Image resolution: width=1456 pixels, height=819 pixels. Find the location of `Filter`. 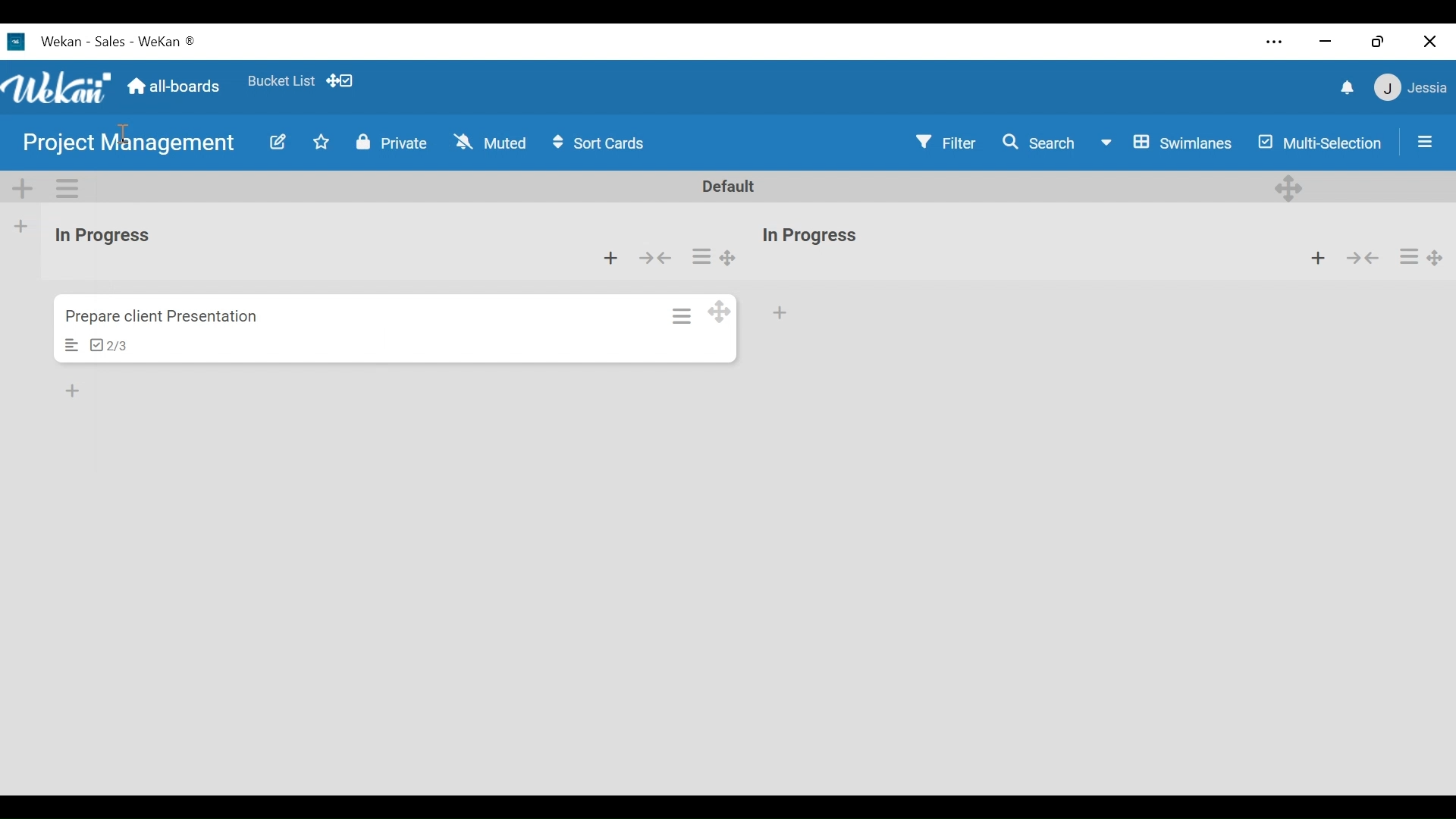

Filter is located at coordinates (945, 142).